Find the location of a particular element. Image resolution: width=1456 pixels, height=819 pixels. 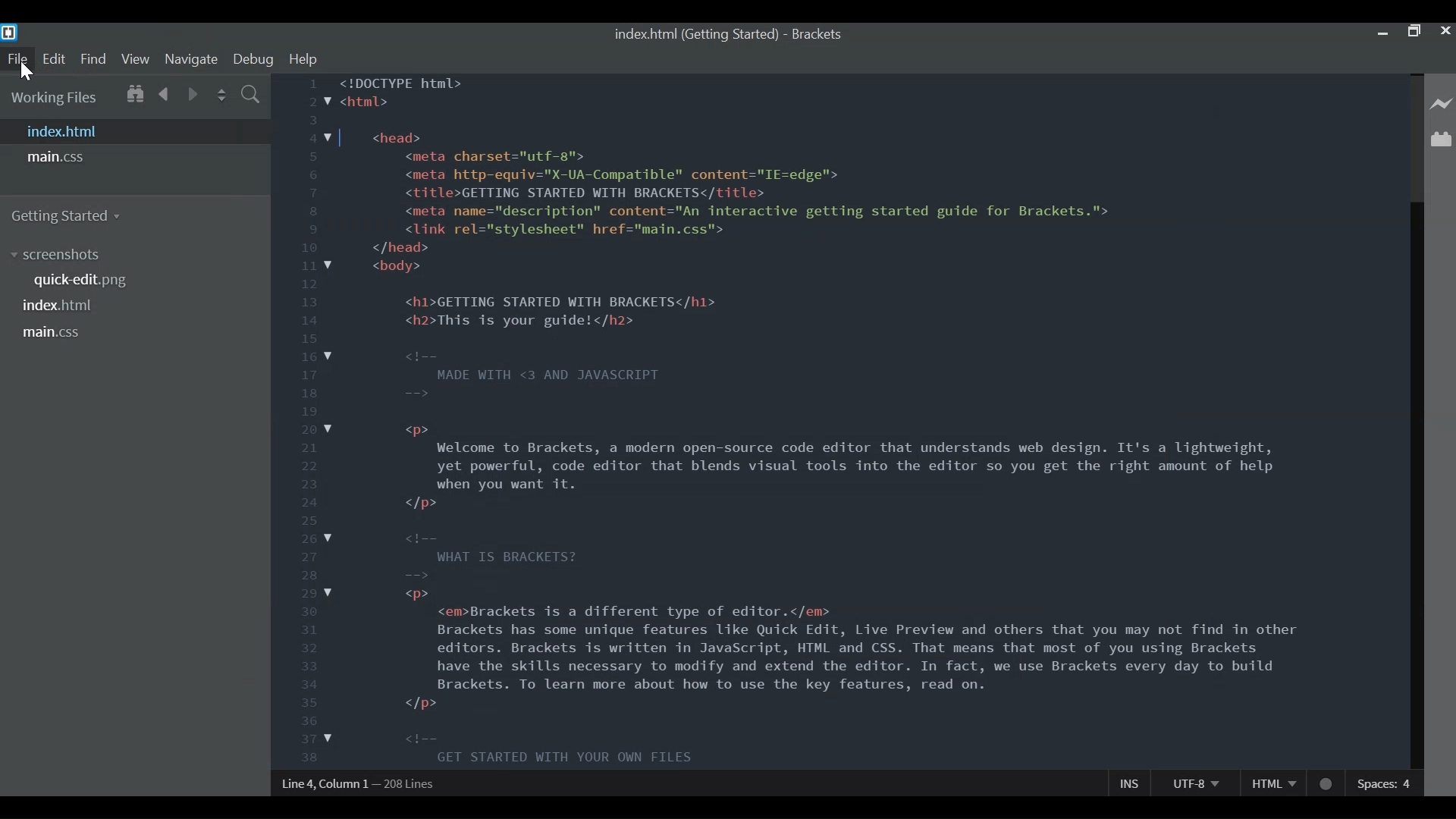

Vertical Scroll bar is located at coordinates (1416, 484).